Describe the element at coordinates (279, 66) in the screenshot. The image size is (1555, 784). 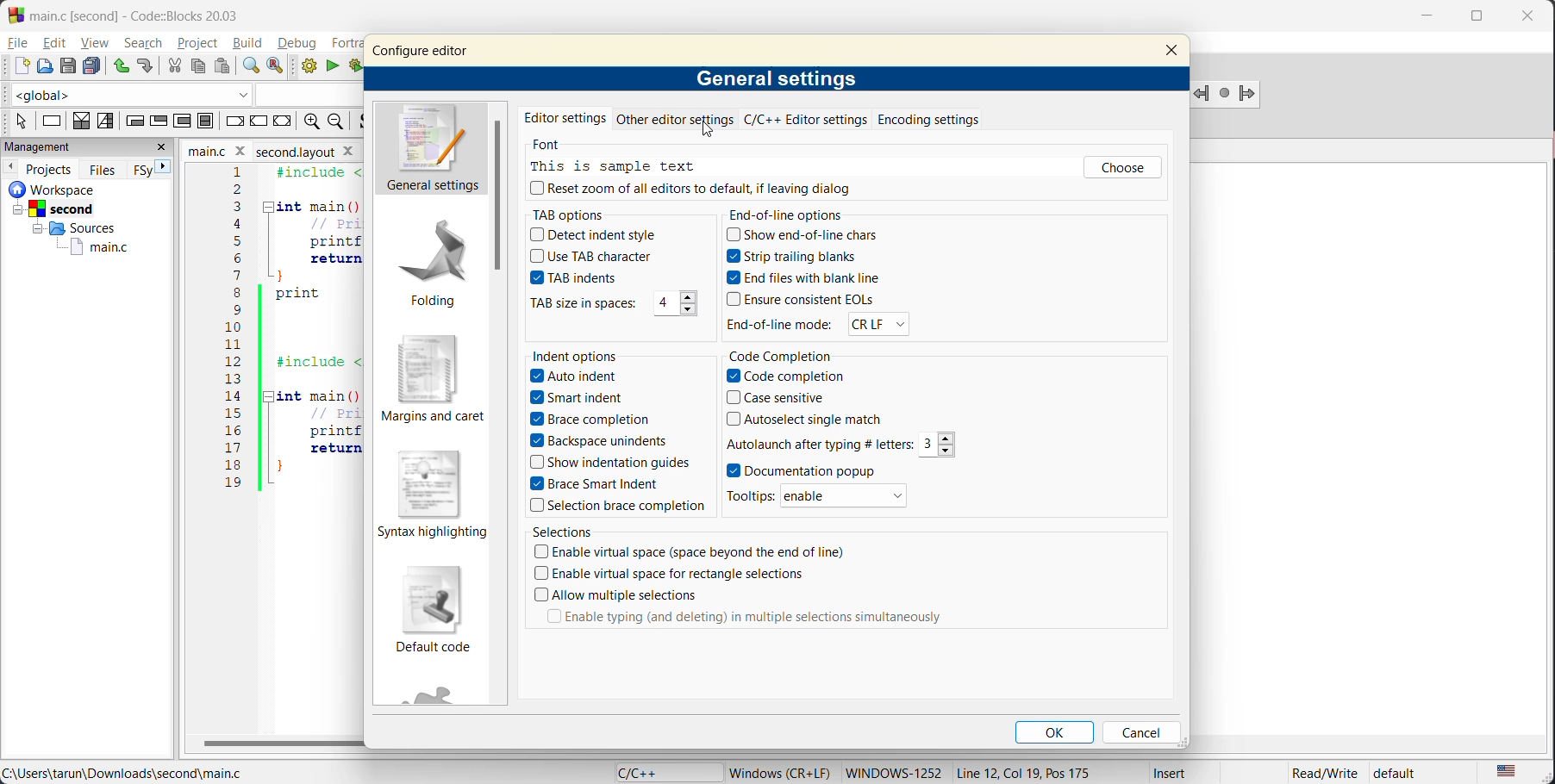
I see `replace` at that location.